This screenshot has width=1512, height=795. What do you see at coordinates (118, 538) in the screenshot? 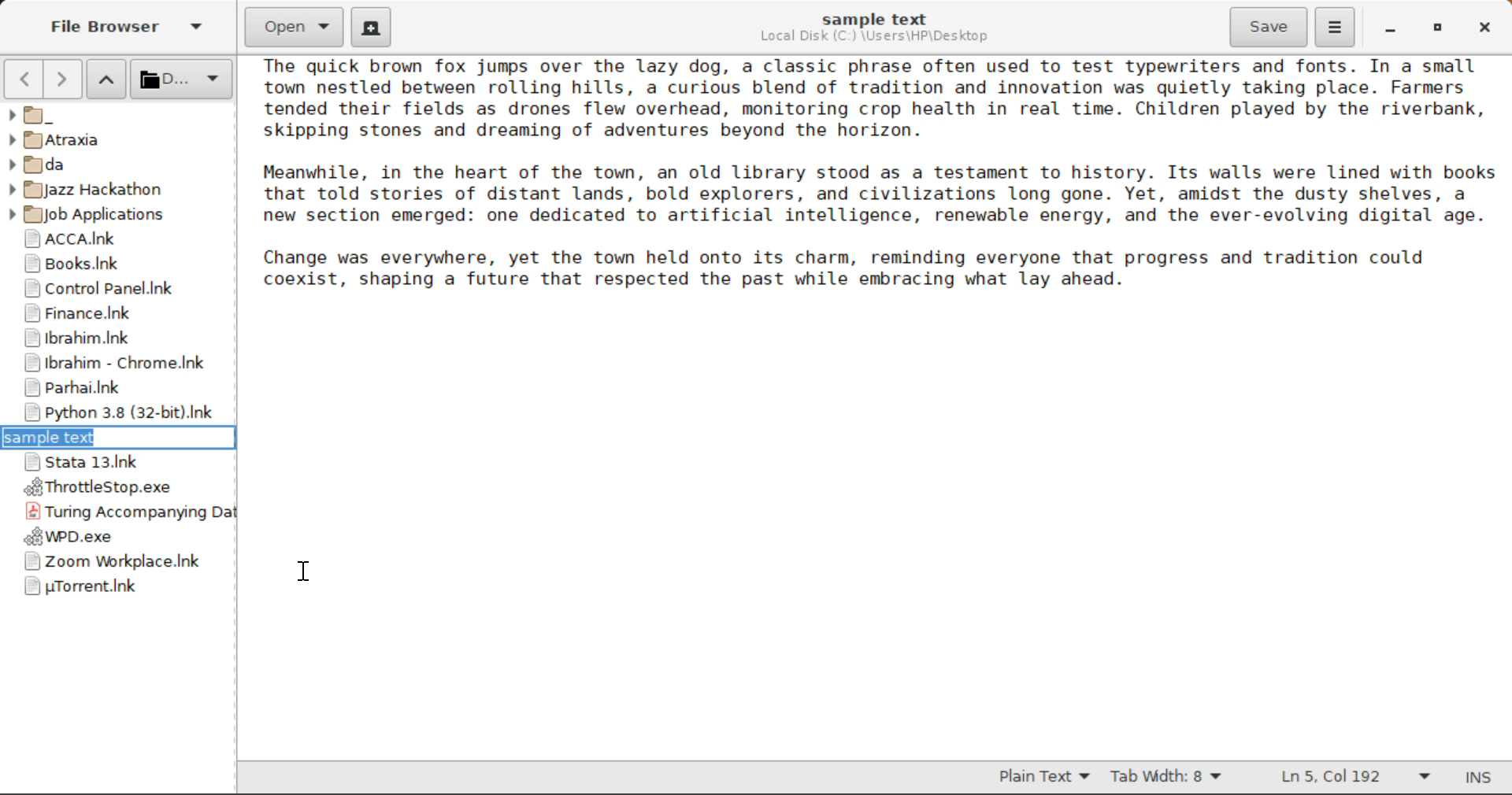
I see `WPD Application` at bounding box center [118, 538].